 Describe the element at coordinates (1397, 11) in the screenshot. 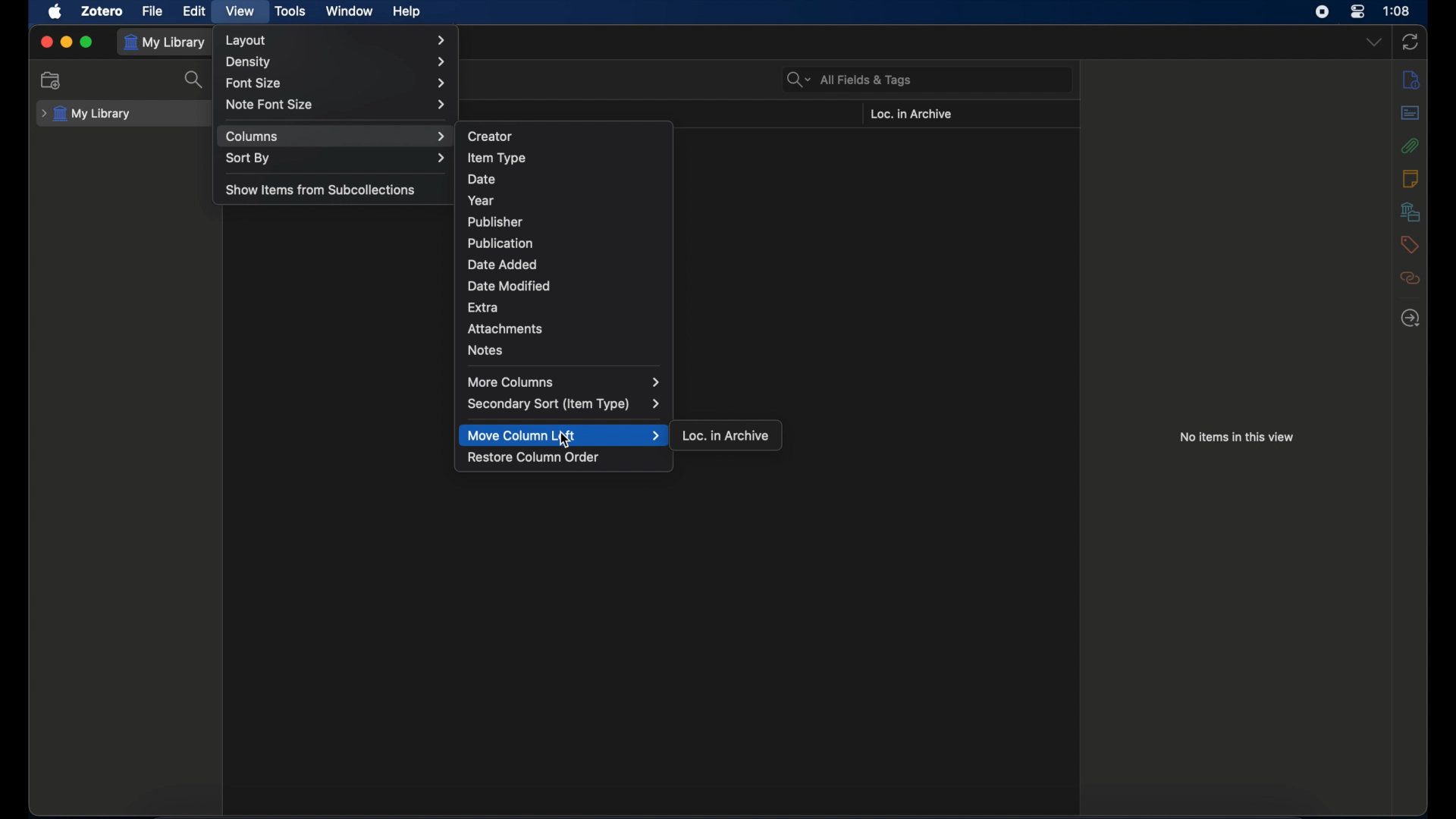

I see `time` at that location.